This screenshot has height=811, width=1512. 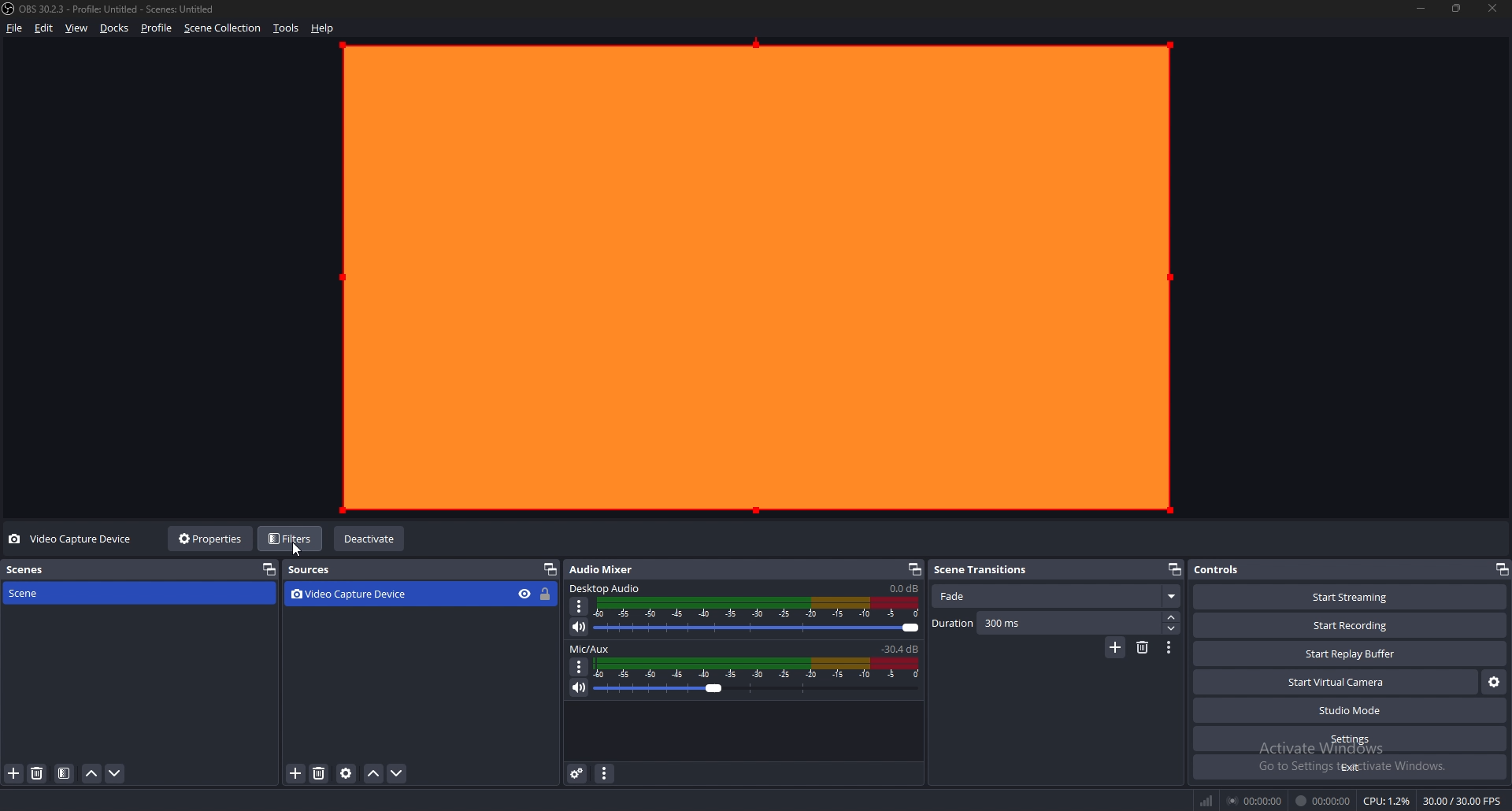 I want to click on configure virtual camera, so click(x=1495, y=683).